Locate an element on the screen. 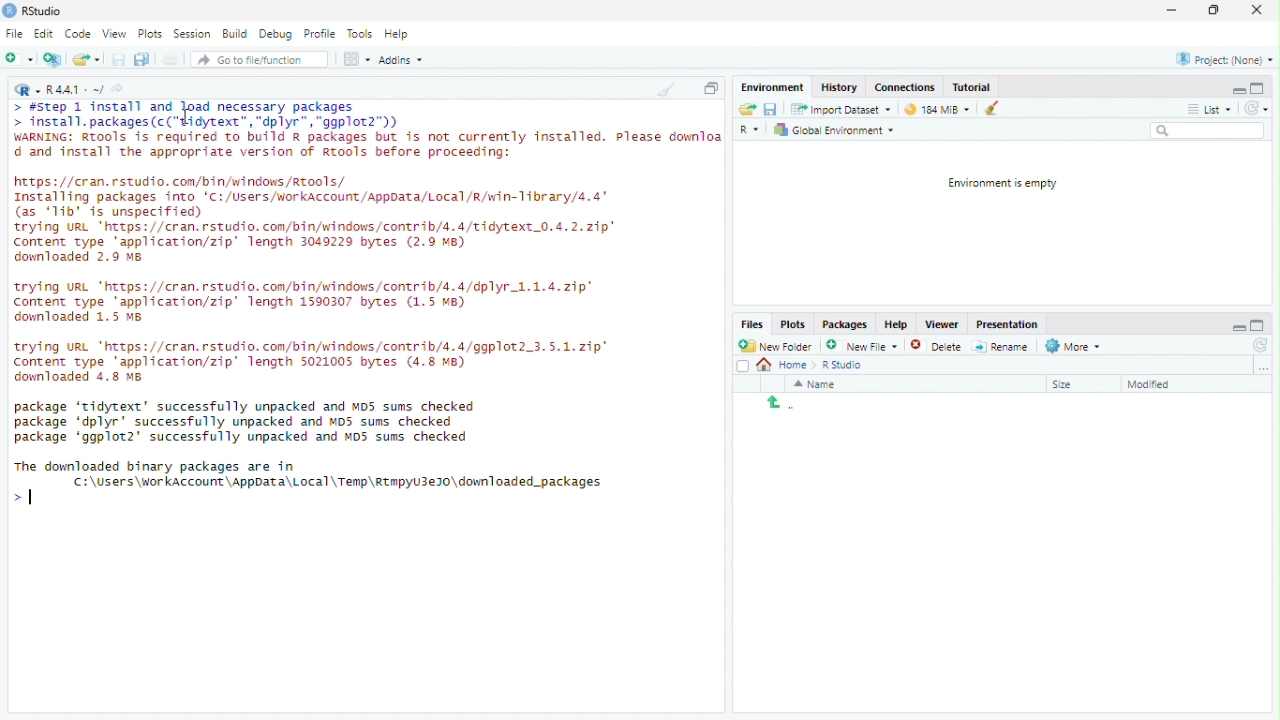 This screenshot has width=1280, height=720. Help is located at coordinates (397, 33).